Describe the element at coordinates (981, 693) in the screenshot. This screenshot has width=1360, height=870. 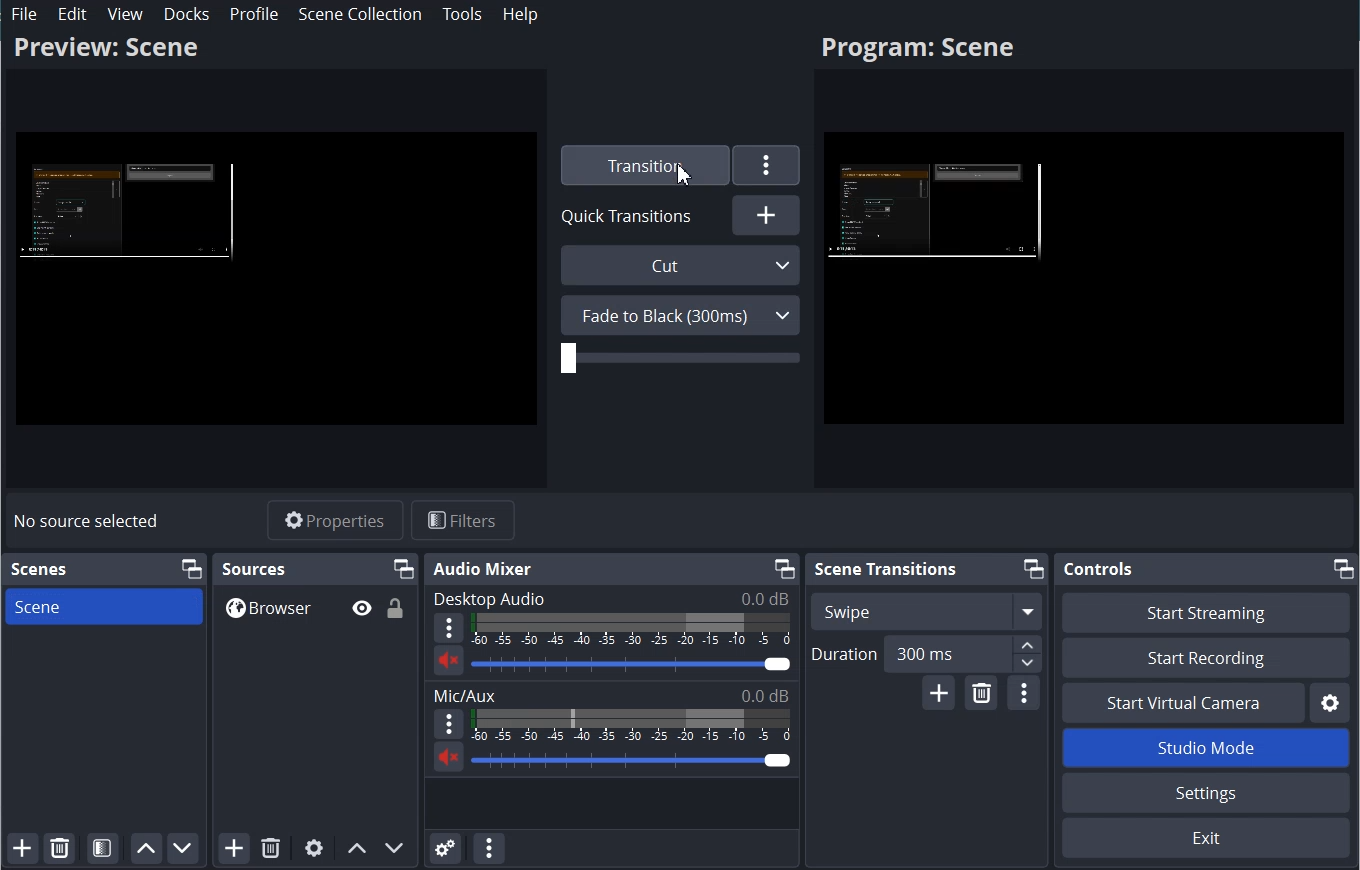
I see `Remove Configurable Transition` at that location.